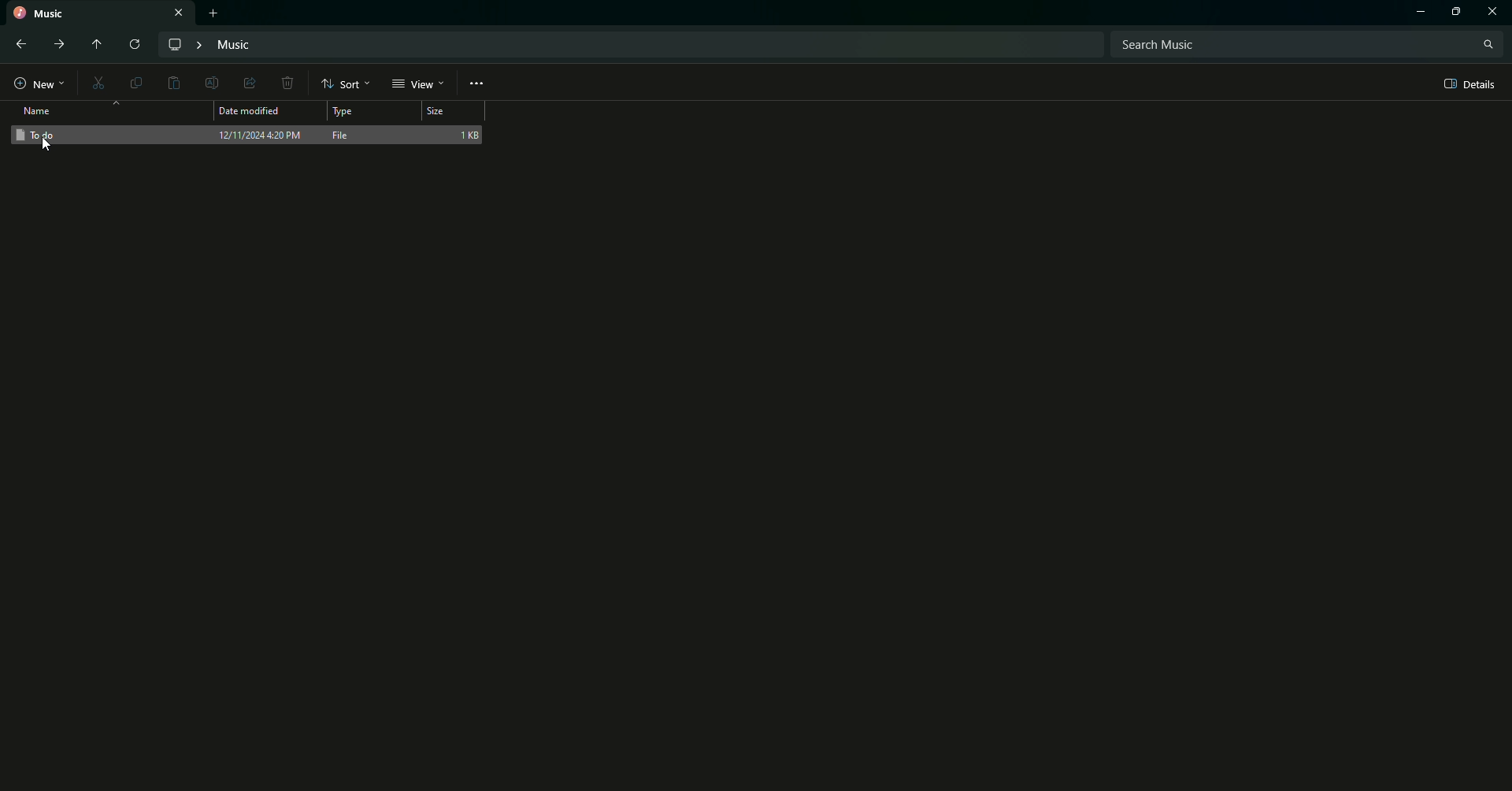  Describe the element at coordinates (479, 87) in the screenshot. I see `More options` at that location.